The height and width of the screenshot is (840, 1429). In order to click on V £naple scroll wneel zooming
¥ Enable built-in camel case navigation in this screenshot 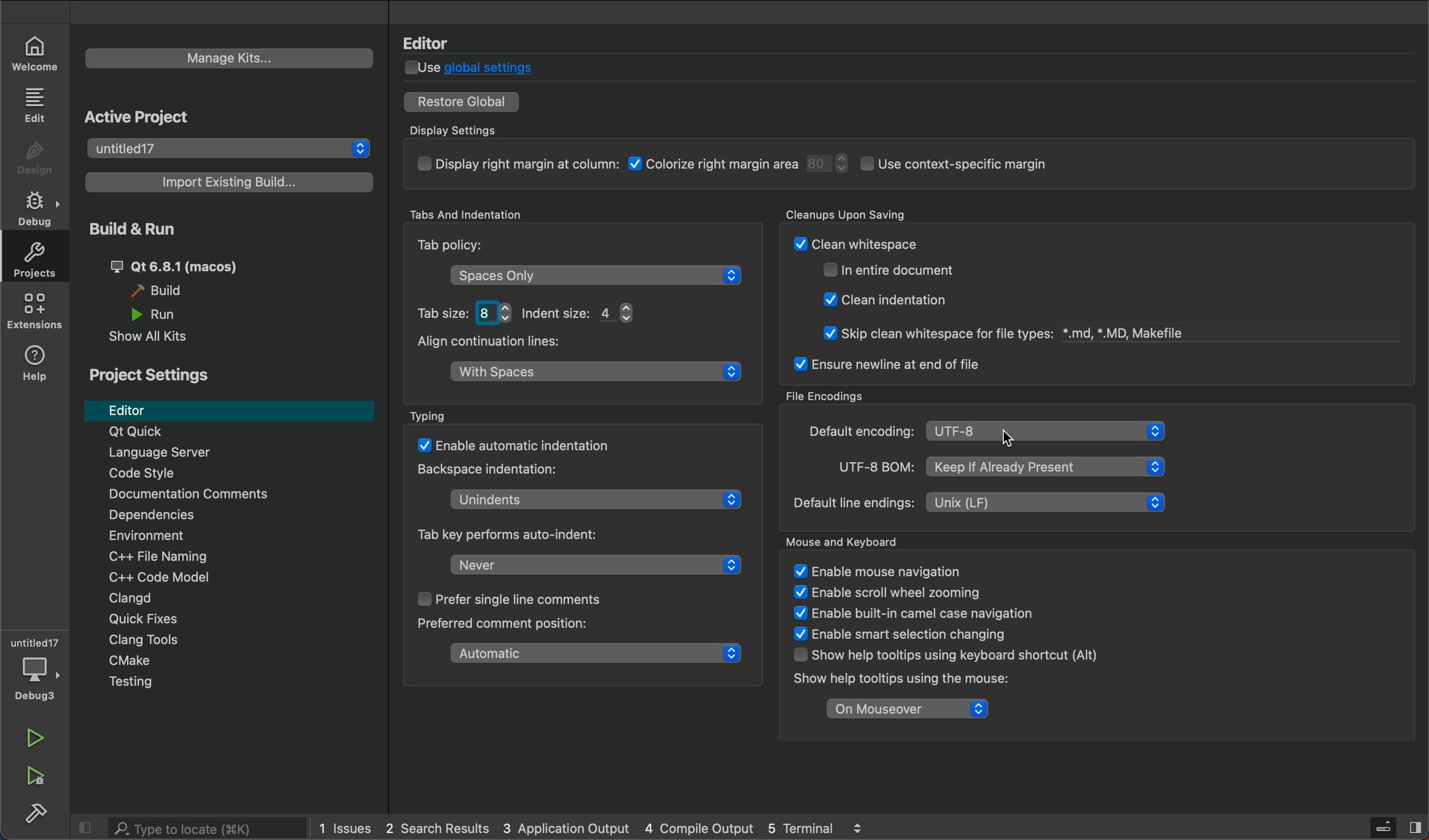, I will do `click(885, 595)`.